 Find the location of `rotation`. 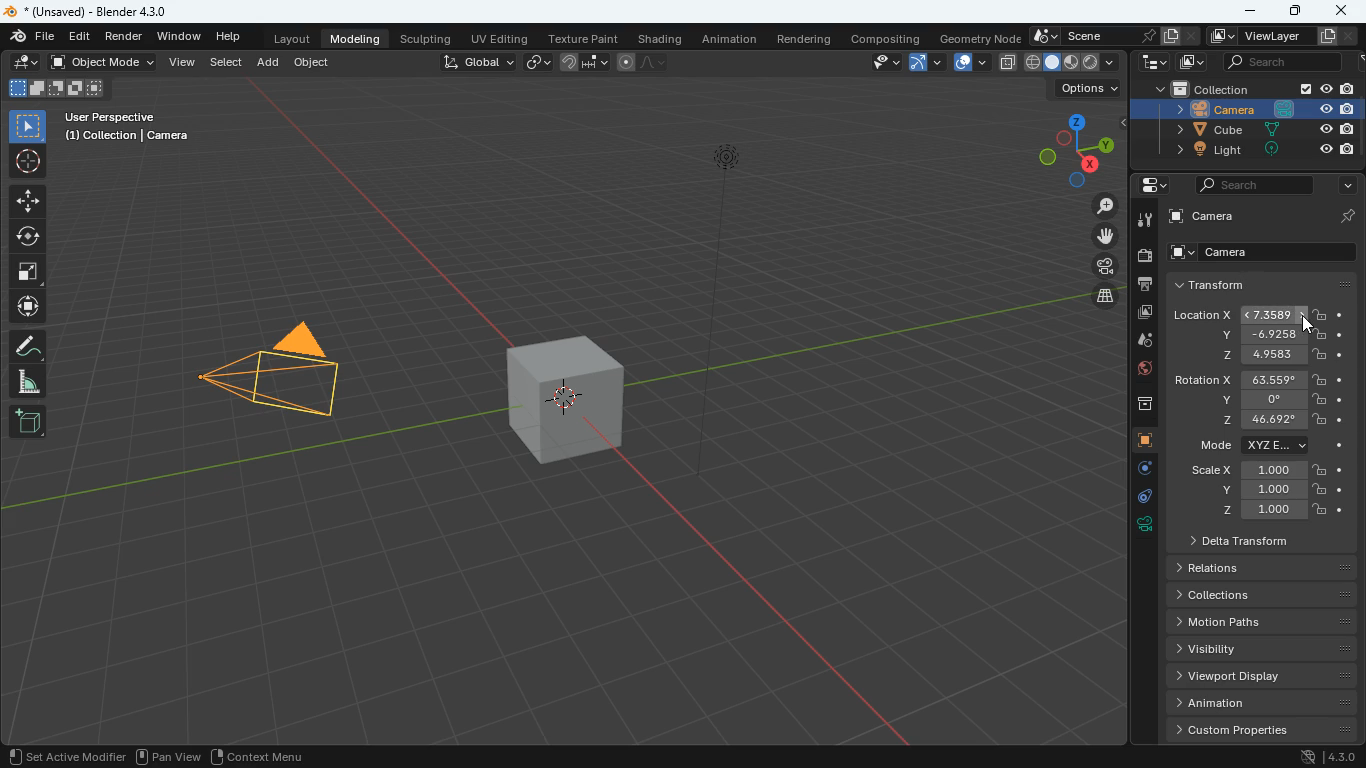

rotation is located at coordinates (1141, 526).